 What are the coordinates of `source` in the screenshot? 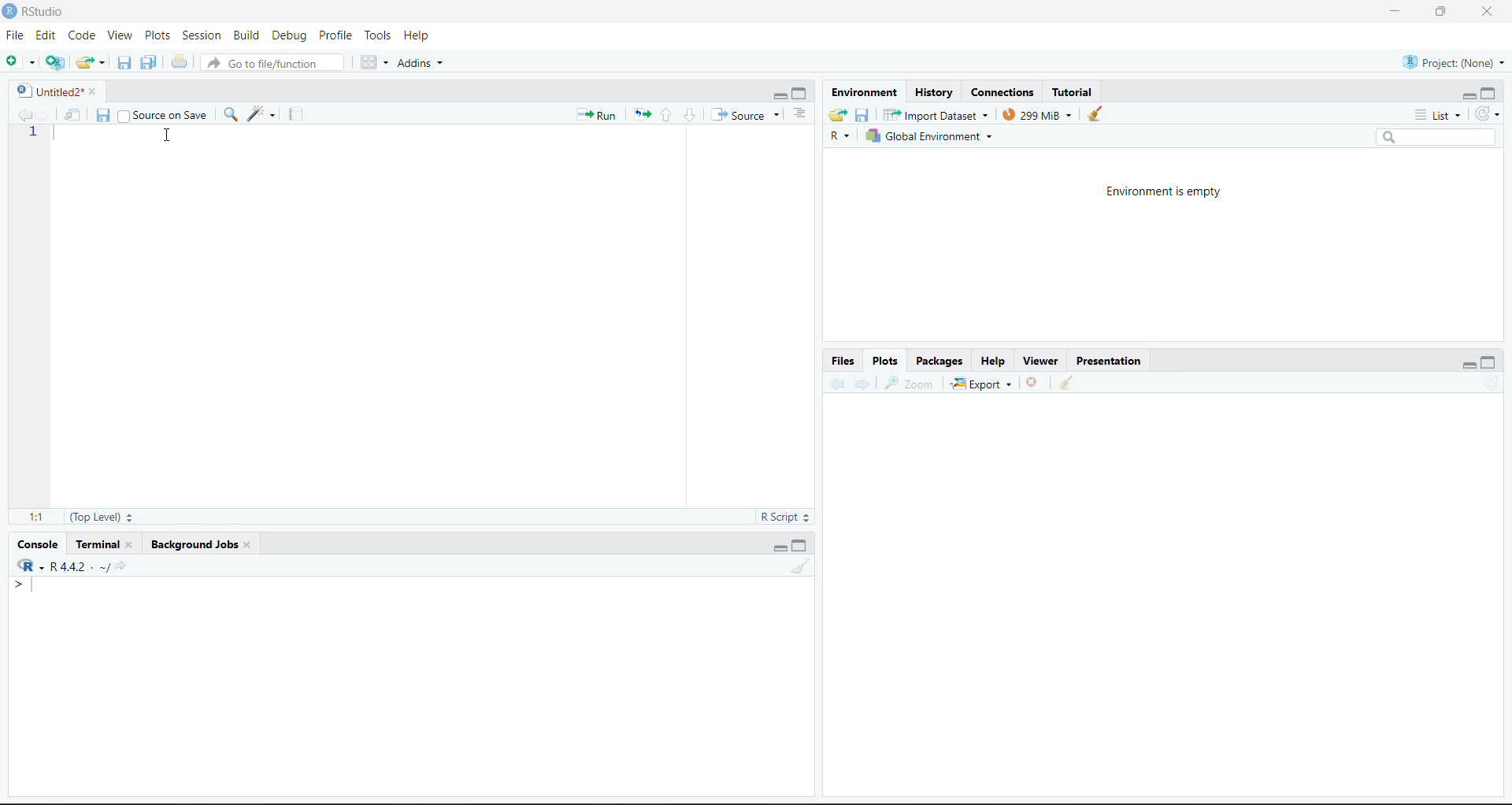 It's located at (747, 115).